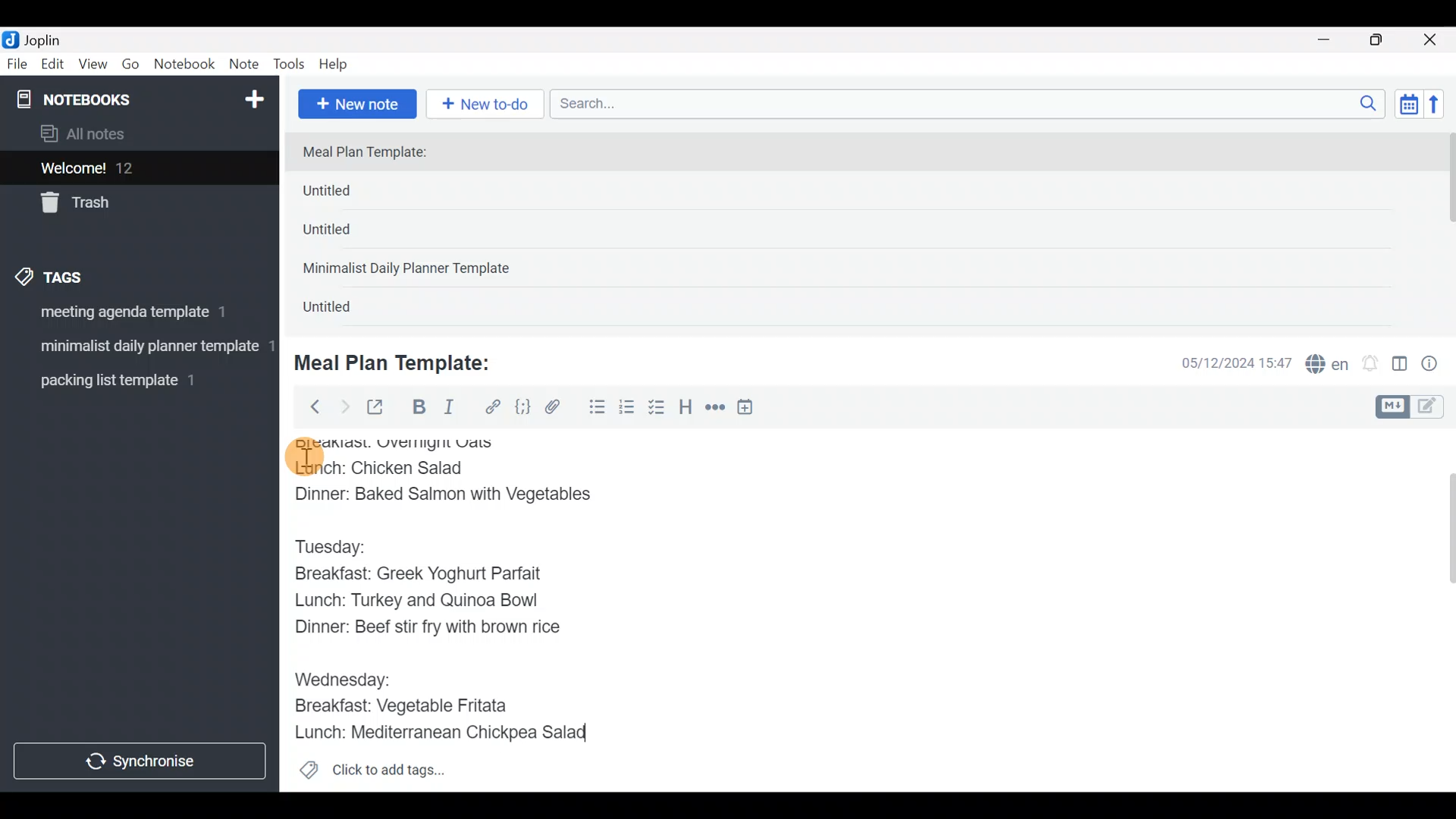 This screenshot has height=819, width=1456. What do you see at coordinates (627, 410) in the screenshot?
I see `Numbered list` at bounding box center [627, 410].